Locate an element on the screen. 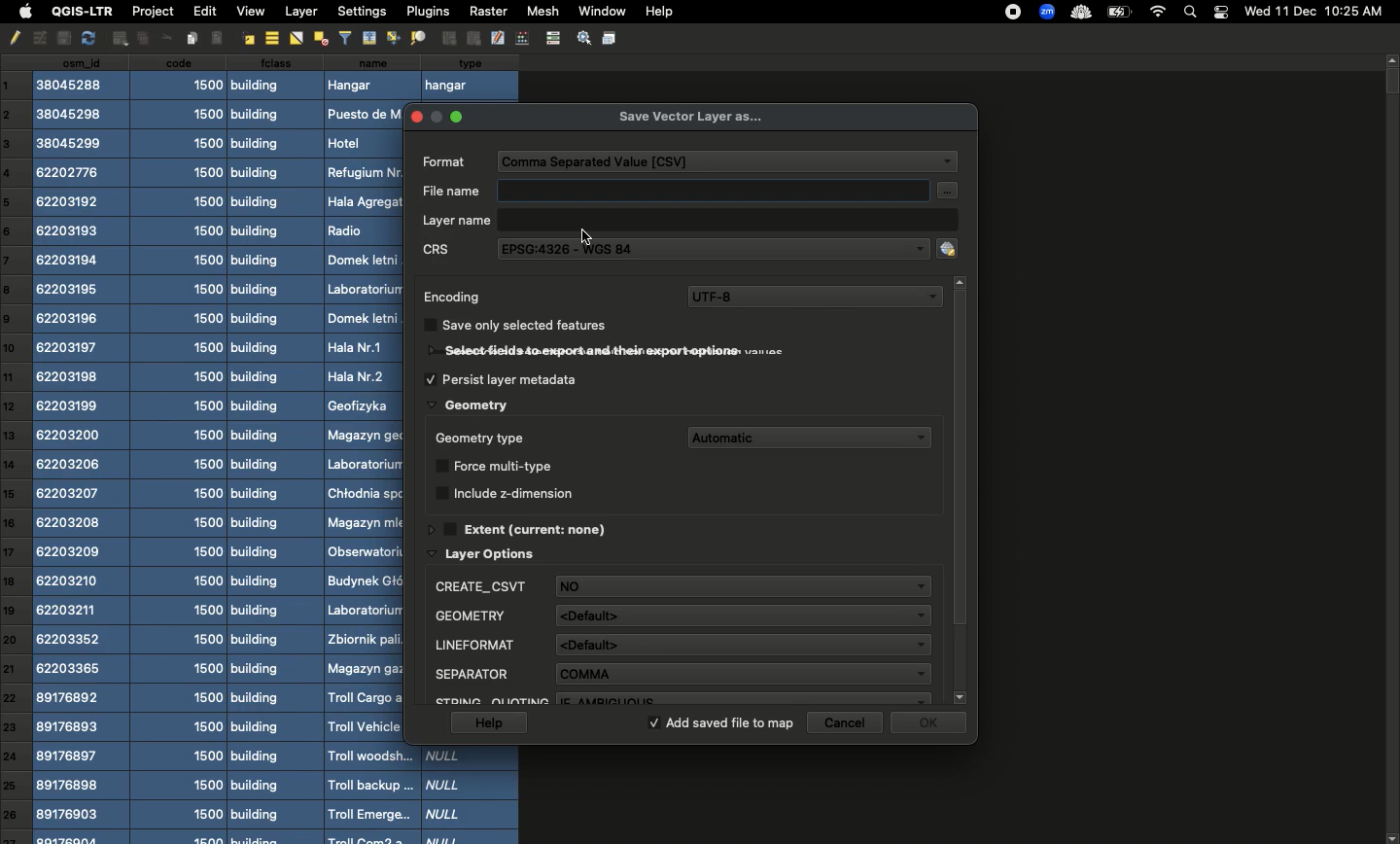  QGIS-LTR is located at coordinates (79, 12).